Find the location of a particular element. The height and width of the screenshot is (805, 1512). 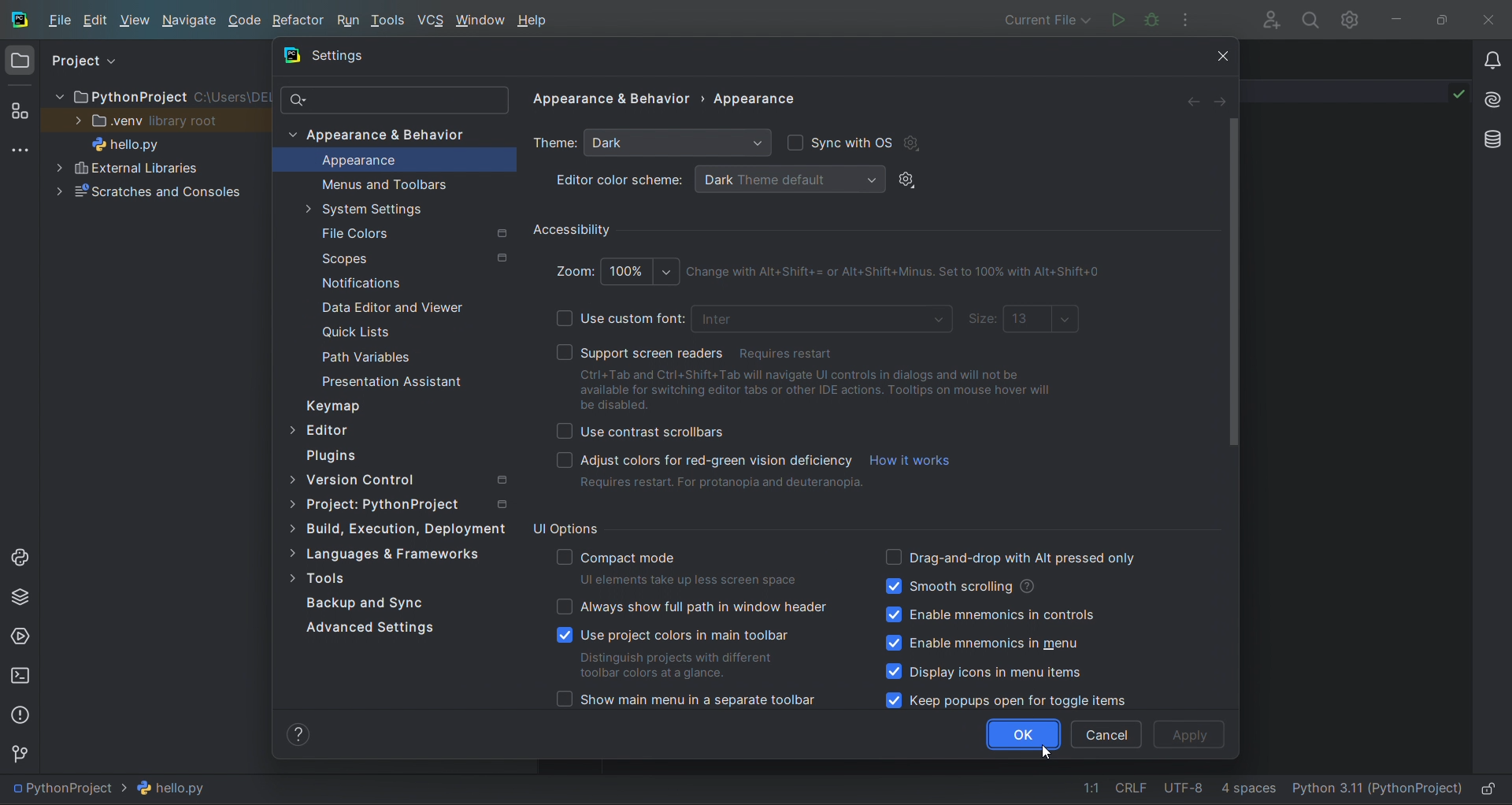

interpreter is located at coordinates (1375, 791).